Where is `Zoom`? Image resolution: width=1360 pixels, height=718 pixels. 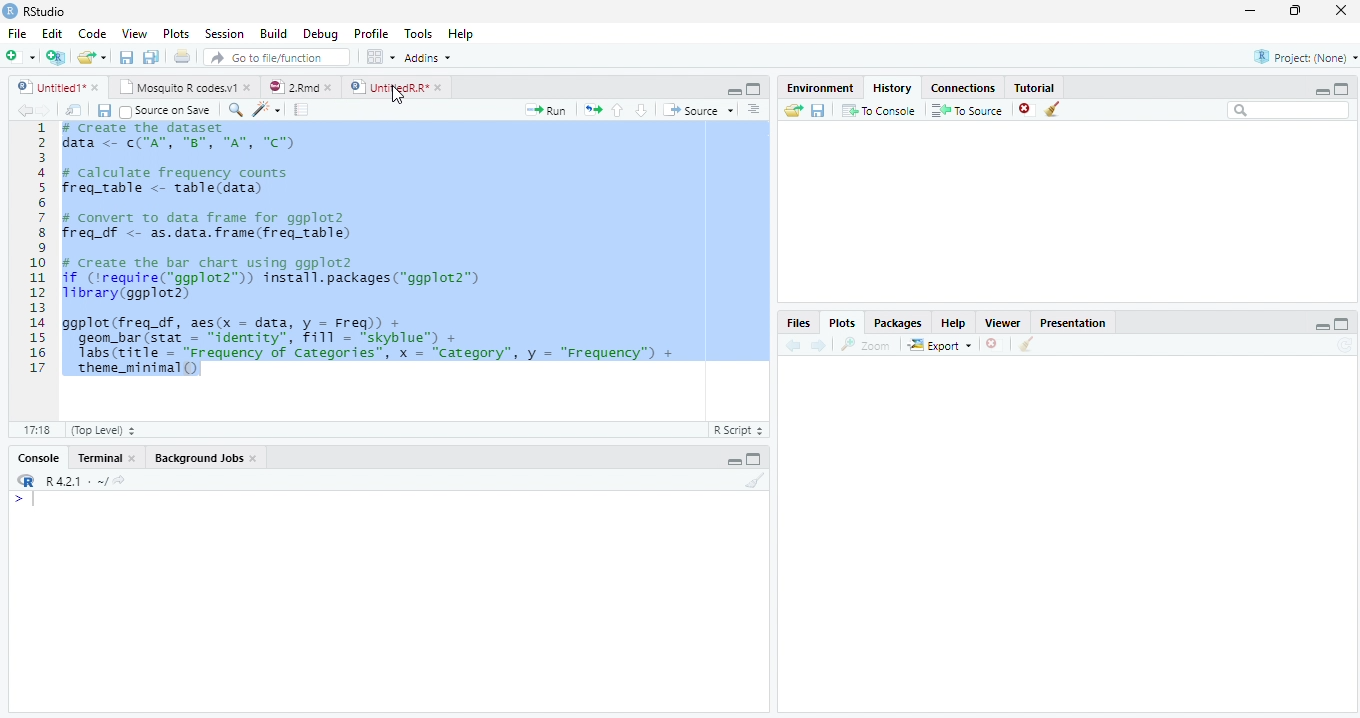 Zoom is located at coordinates (236, 111).